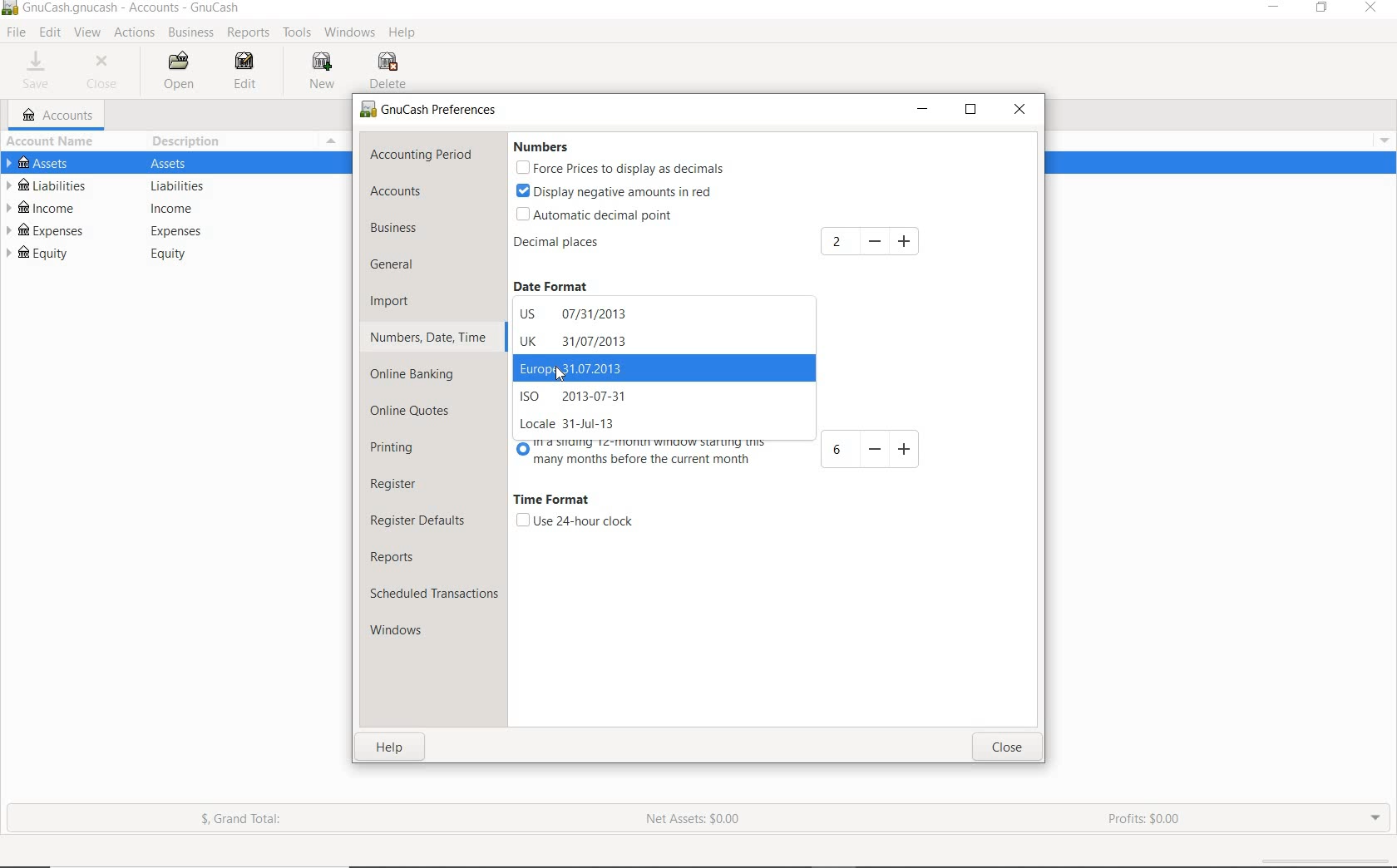  I want to click on DELETE, so click(391, 72).